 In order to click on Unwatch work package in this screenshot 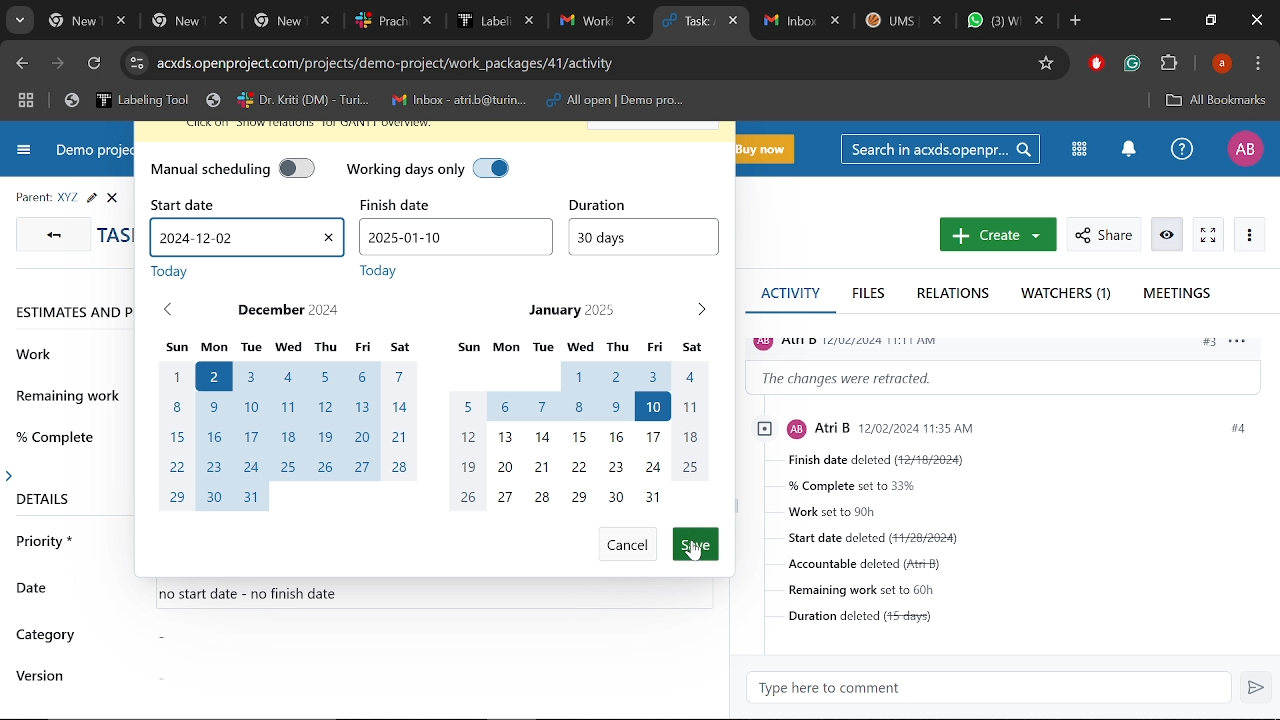, I will do `click(1169, 235)`.